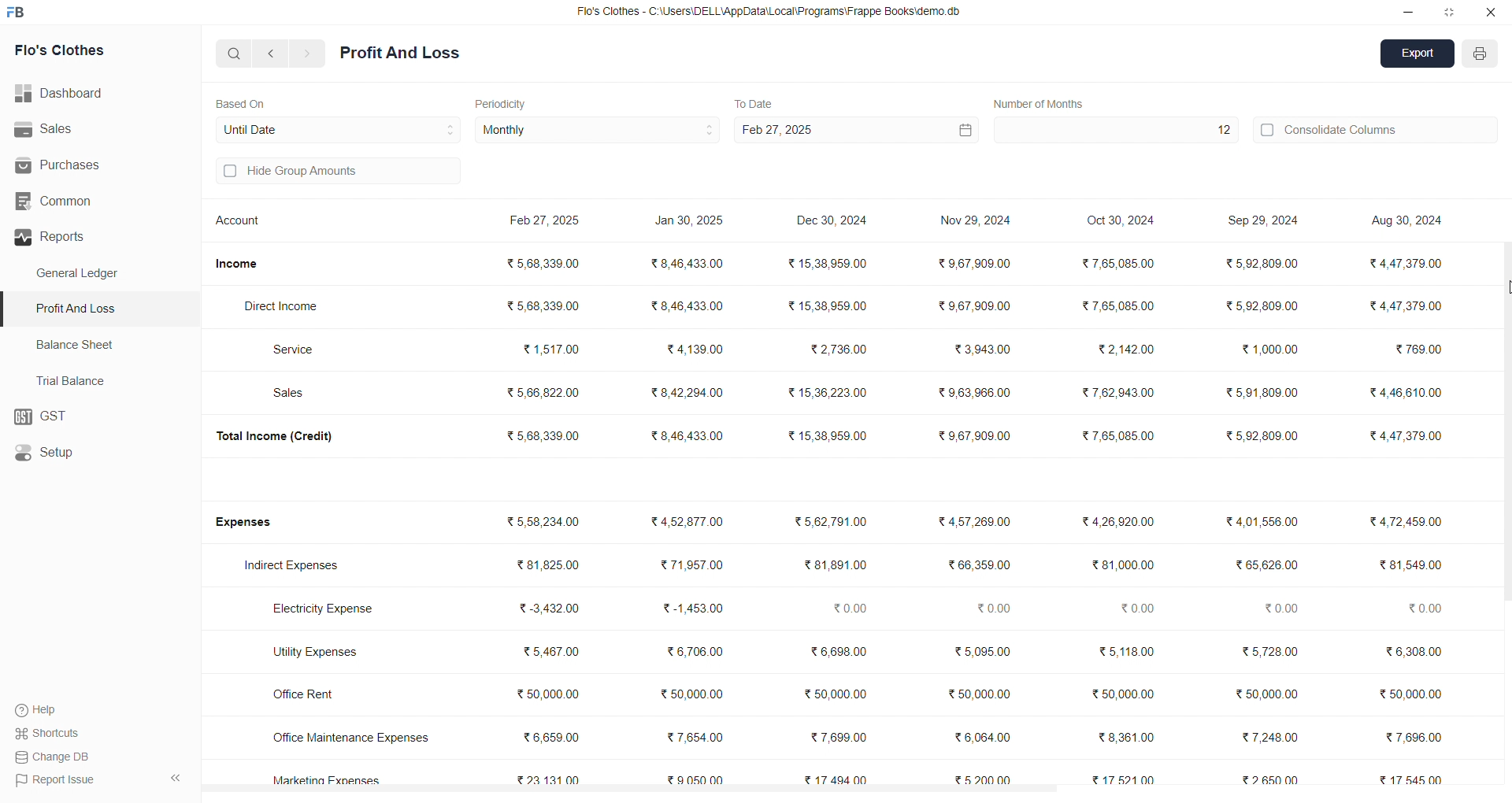 This screenshot has width=1512, height=803. I want to click on Trial Balance, so click(76, 380).